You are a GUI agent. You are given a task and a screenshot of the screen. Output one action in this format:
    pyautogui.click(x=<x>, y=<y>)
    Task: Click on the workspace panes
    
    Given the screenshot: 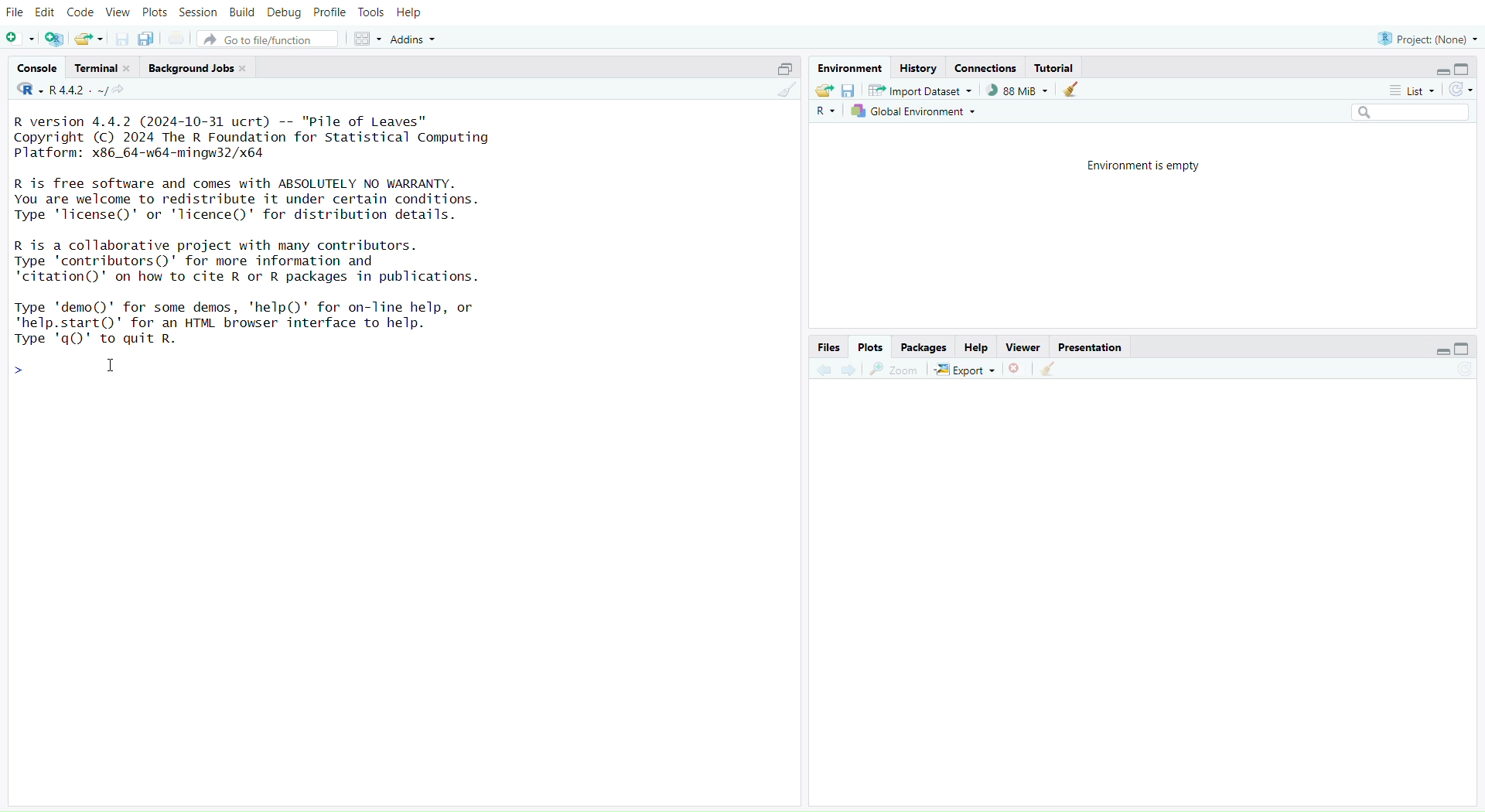 What is the action you would take?
    pyautogui.click(x=367, y=39)
    